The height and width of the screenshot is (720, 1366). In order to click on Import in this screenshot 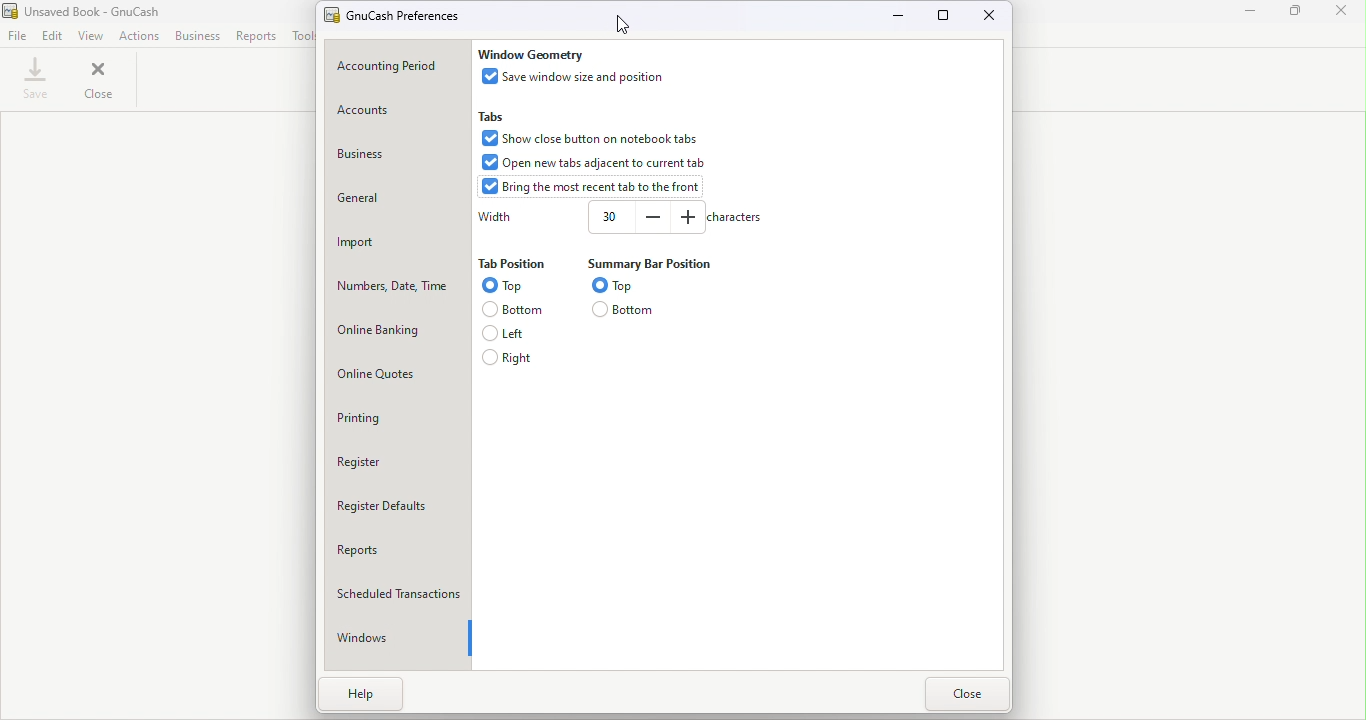, I will do `click(397, 240)`.